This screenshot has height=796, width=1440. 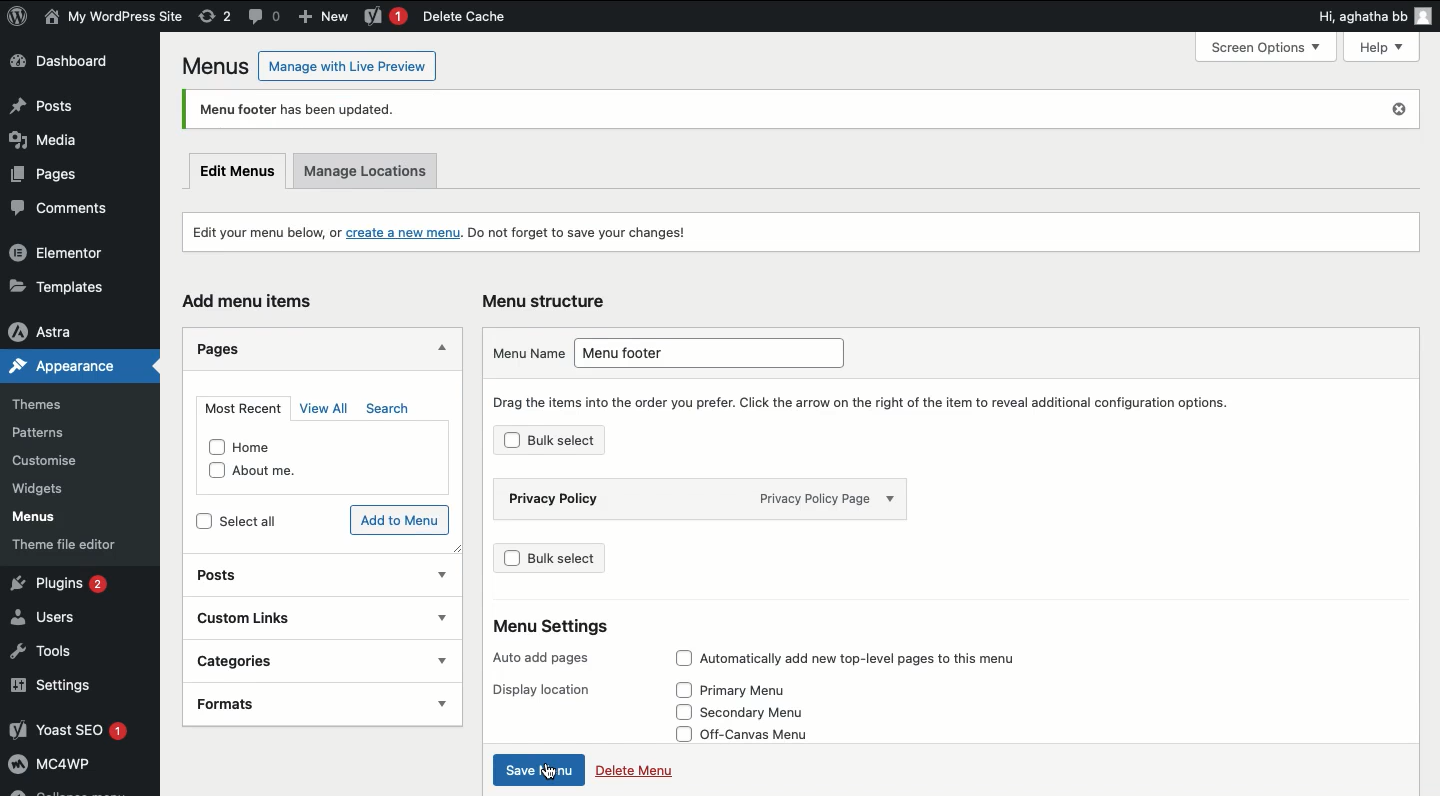 I want to click on Menus, so click(x=48, y=519).